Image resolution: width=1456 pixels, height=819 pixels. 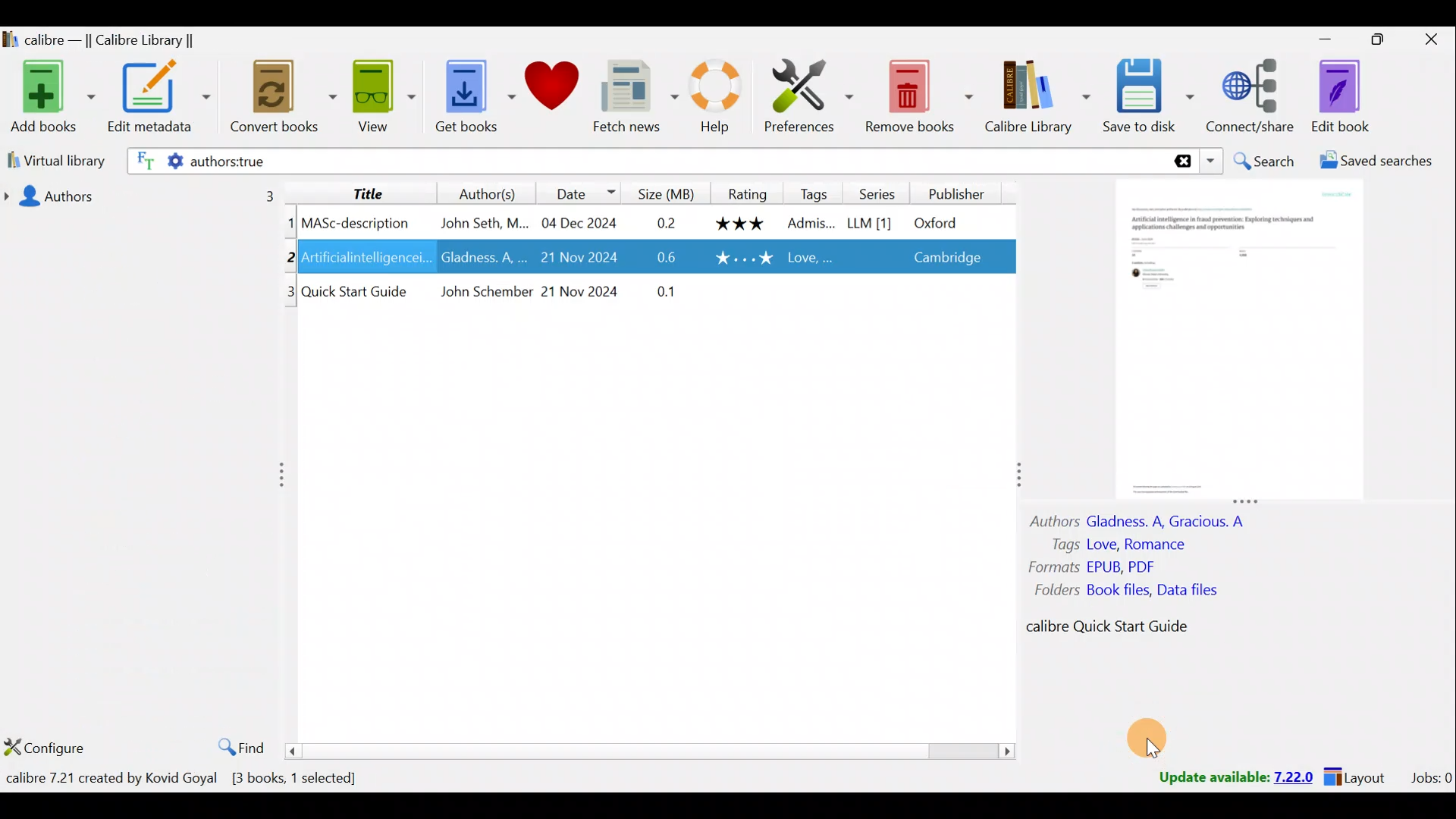 I want to click on Book 1, so click(x=645, y=221).